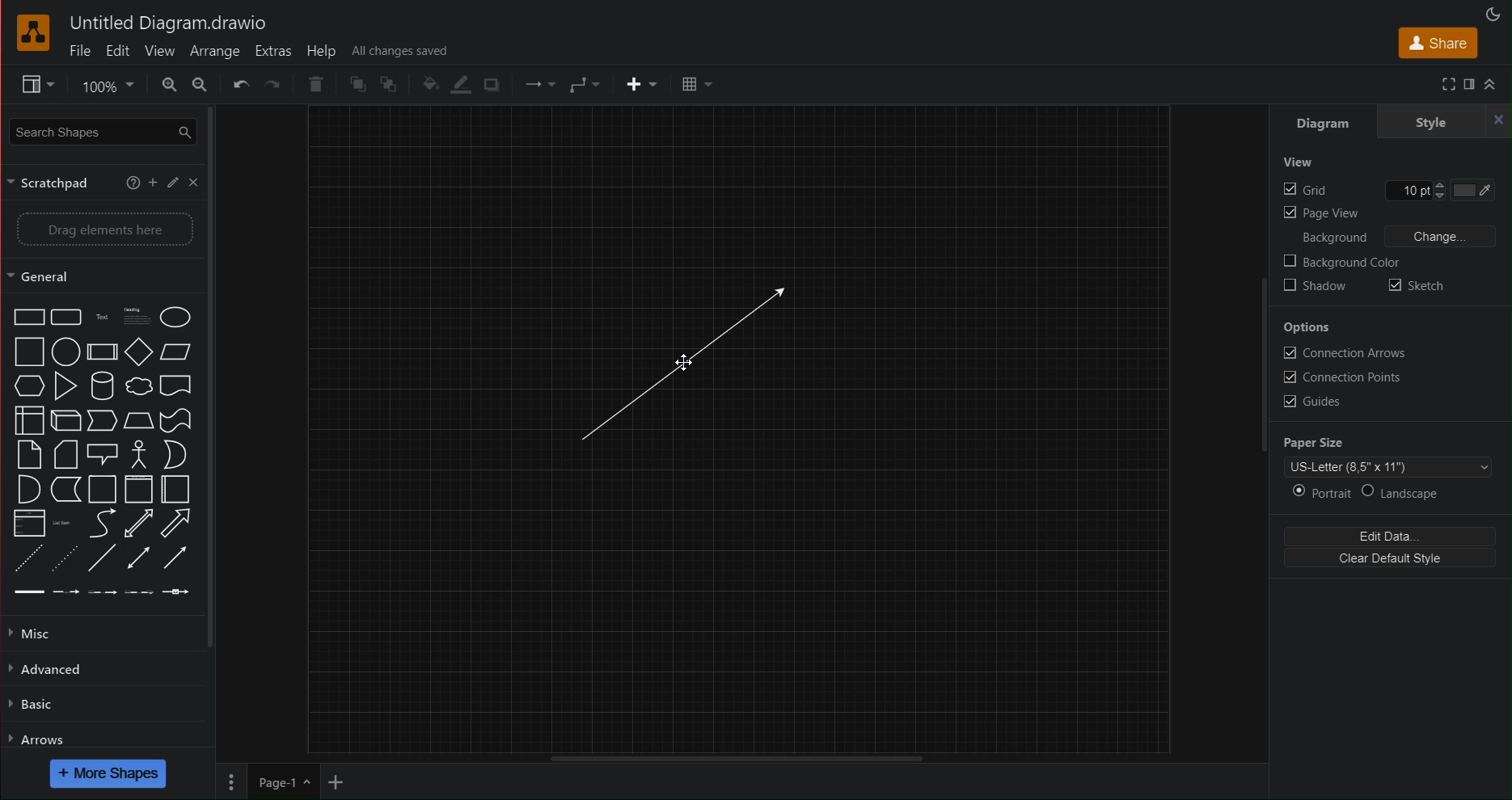 This screenshot has height=800, width=1512. Describe the element at coordinates (1341, 354) in the screenshot. I see `Connection Arrows` at that location.